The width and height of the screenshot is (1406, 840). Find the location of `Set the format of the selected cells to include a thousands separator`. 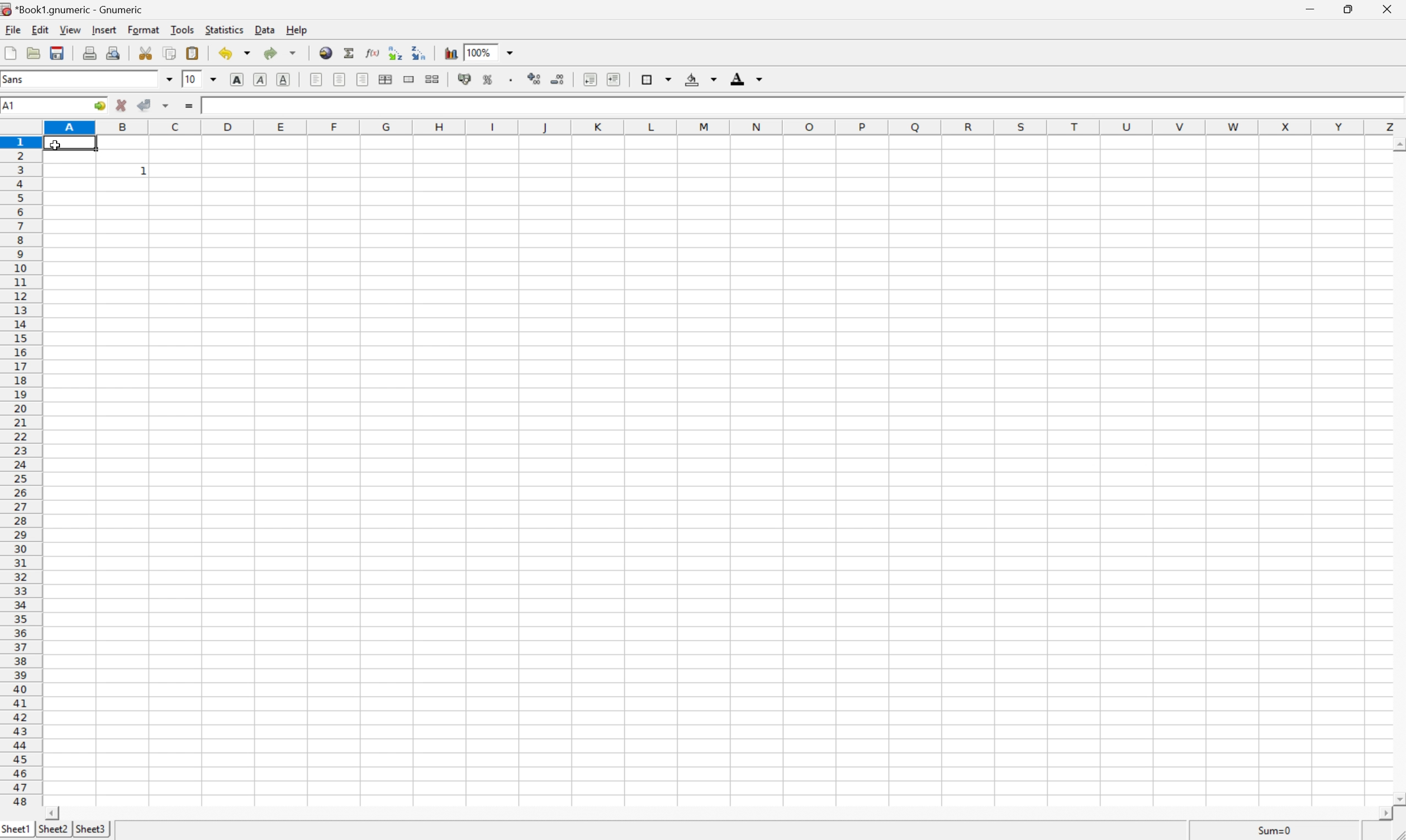

Set the format of the selected cells to include a thousands separator is located at coordinates (511, 82).